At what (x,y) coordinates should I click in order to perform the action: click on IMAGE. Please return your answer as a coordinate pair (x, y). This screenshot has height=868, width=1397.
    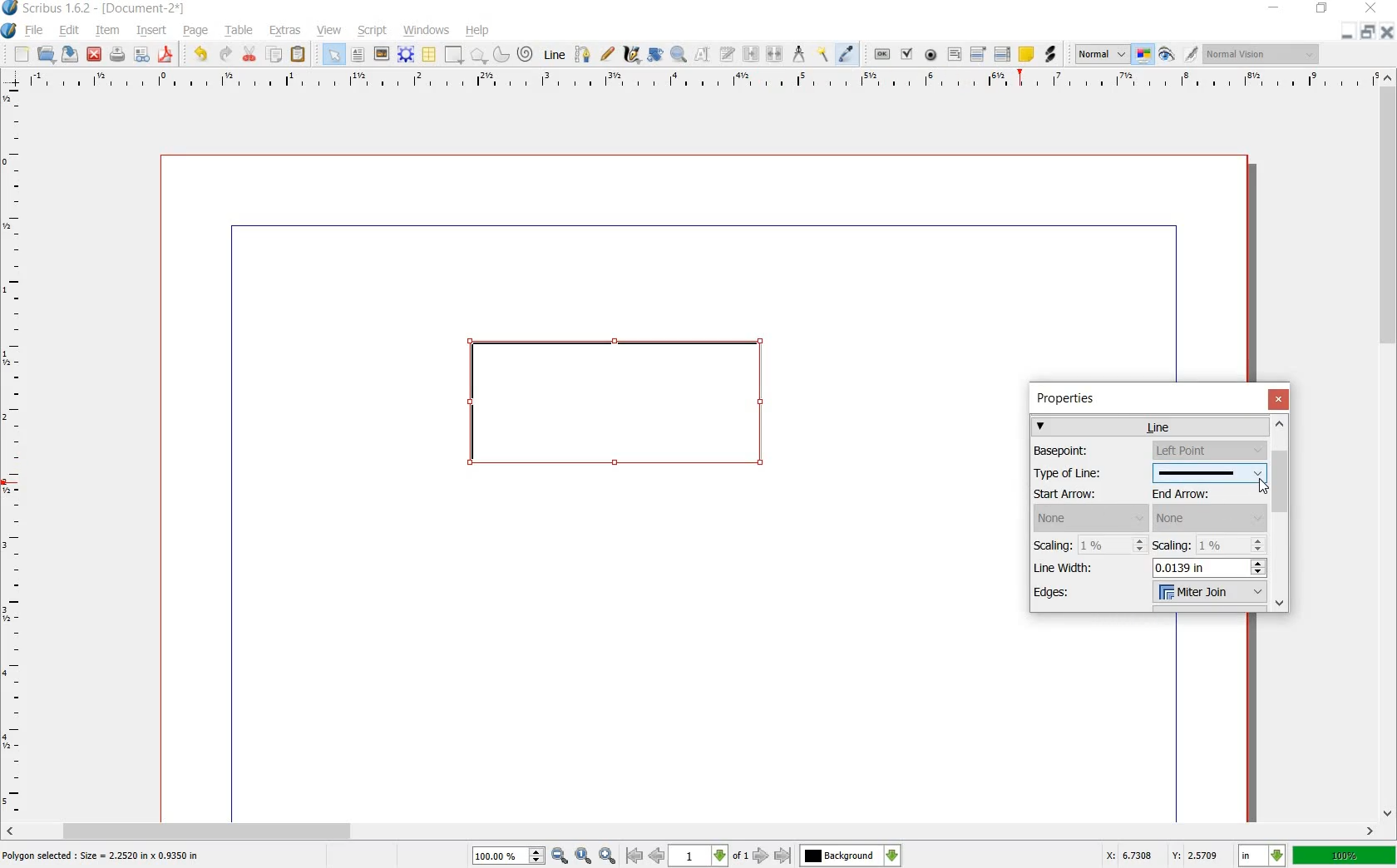
    Looking at the image, I should click on (382, 53).